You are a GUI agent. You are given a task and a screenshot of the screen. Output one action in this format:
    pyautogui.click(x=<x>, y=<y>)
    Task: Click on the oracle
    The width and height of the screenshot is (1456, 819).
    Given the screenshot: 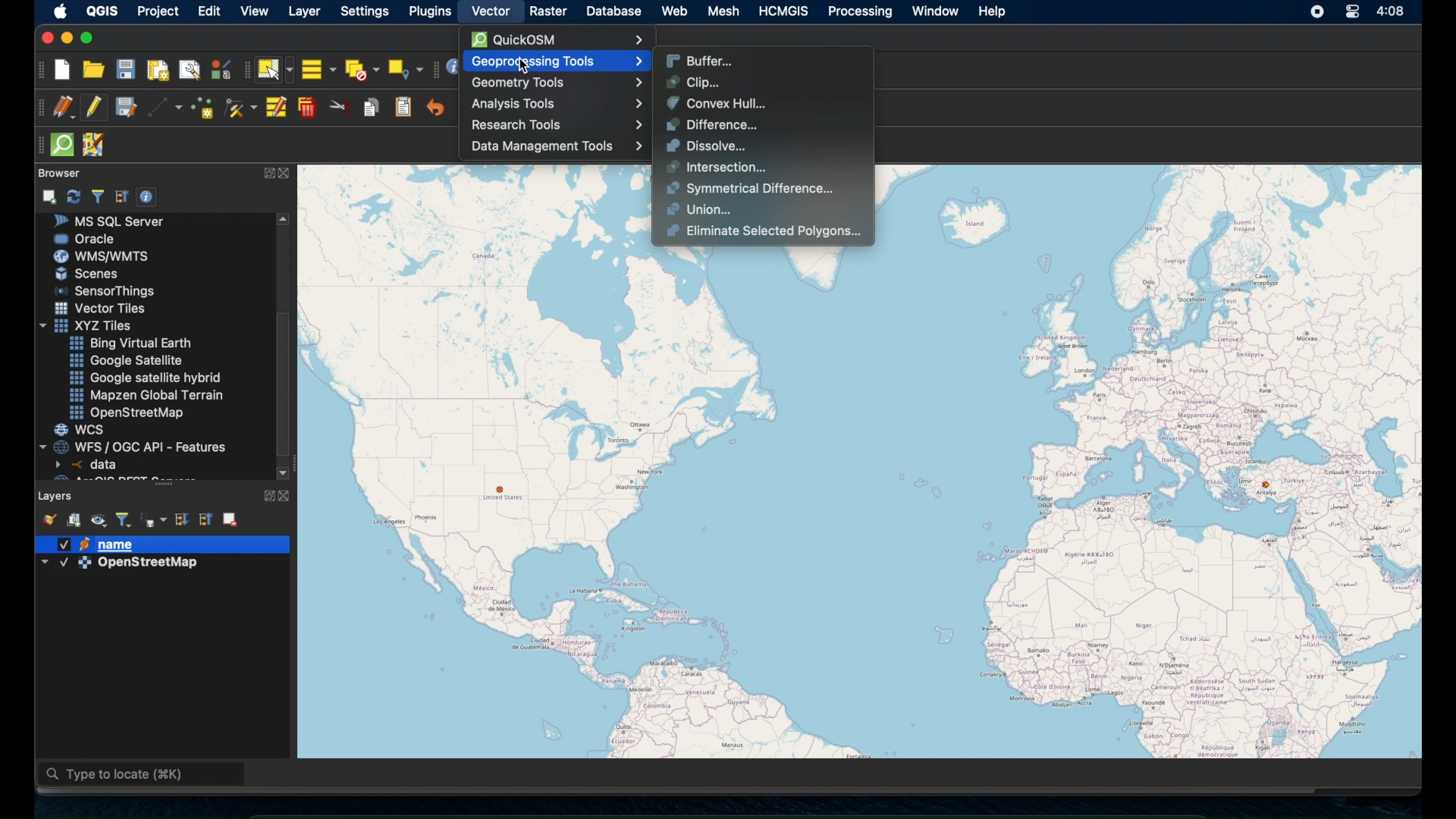 What is the action you would take?
    pyautogui.click(x=86, y=238)
    